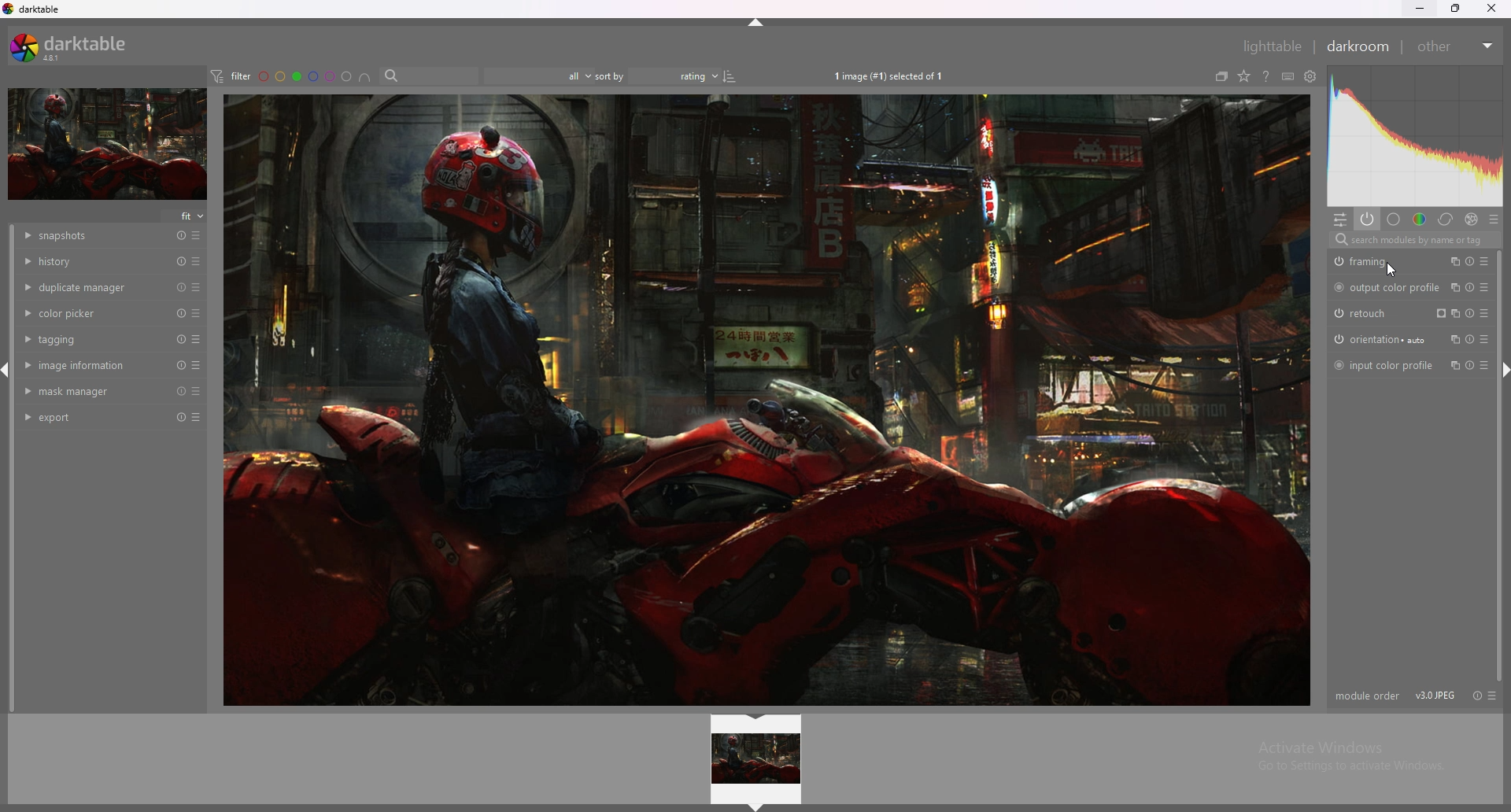 This screenshot has width=1511, height=812. Describe the element at coordinates (198, 235) in the screenshot. I see `presets` at that location.